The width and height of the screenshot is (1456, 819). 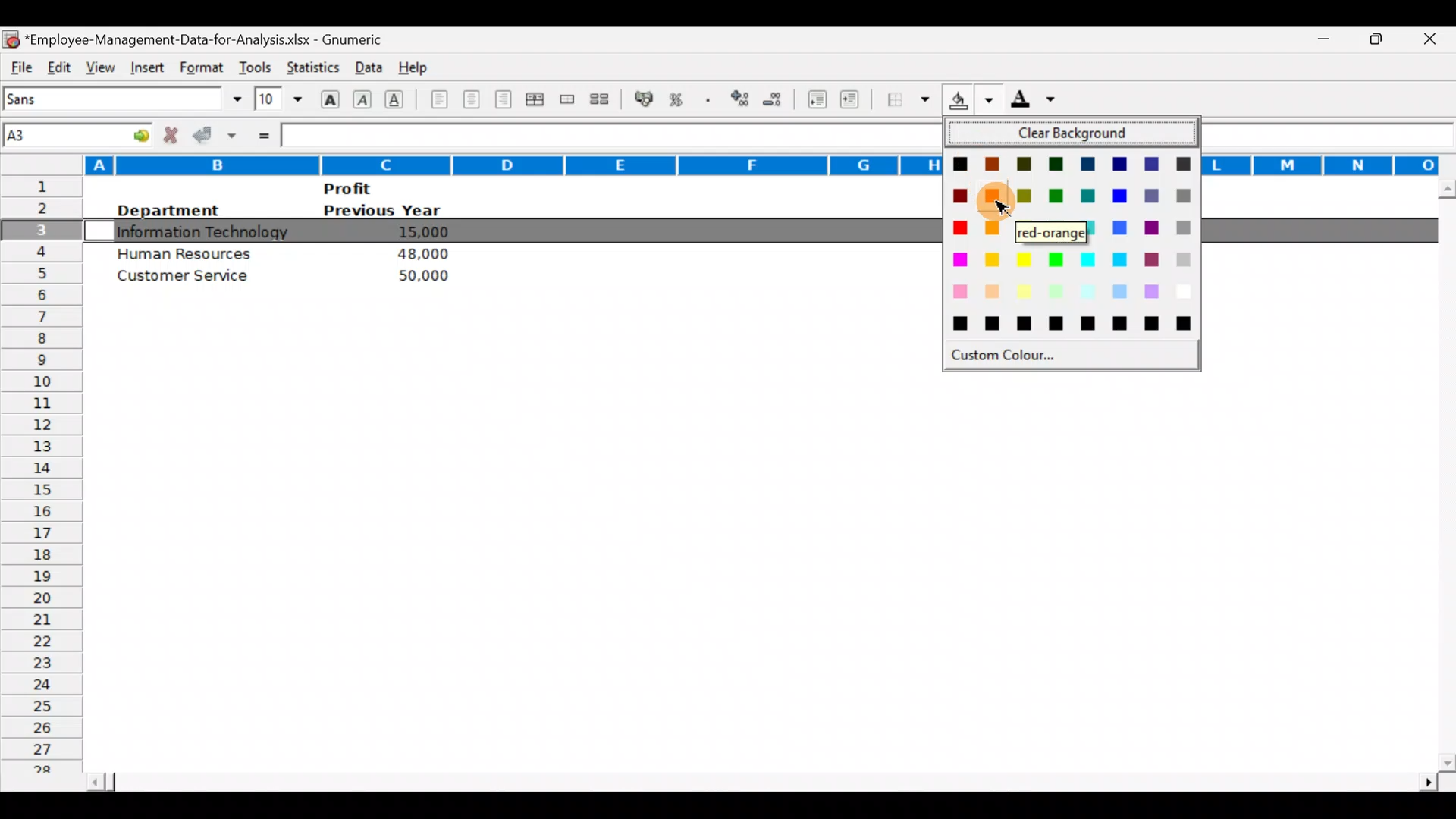 What do you see at coordinates (779, 99) in the screenshot?
I see `Decrease decimals` at bounding box center [779, 99].